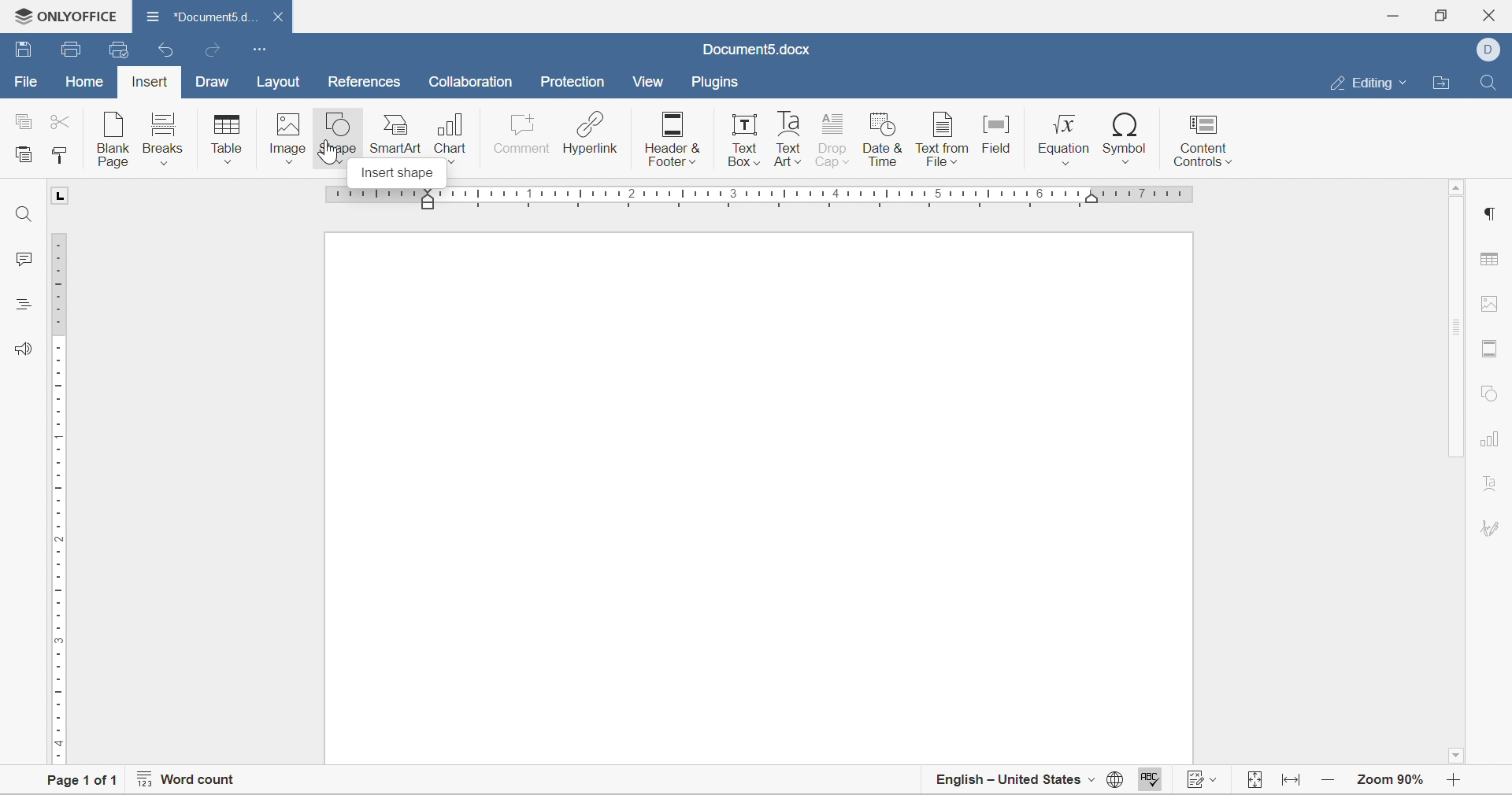  I want to click on draw, so click(213, 80).